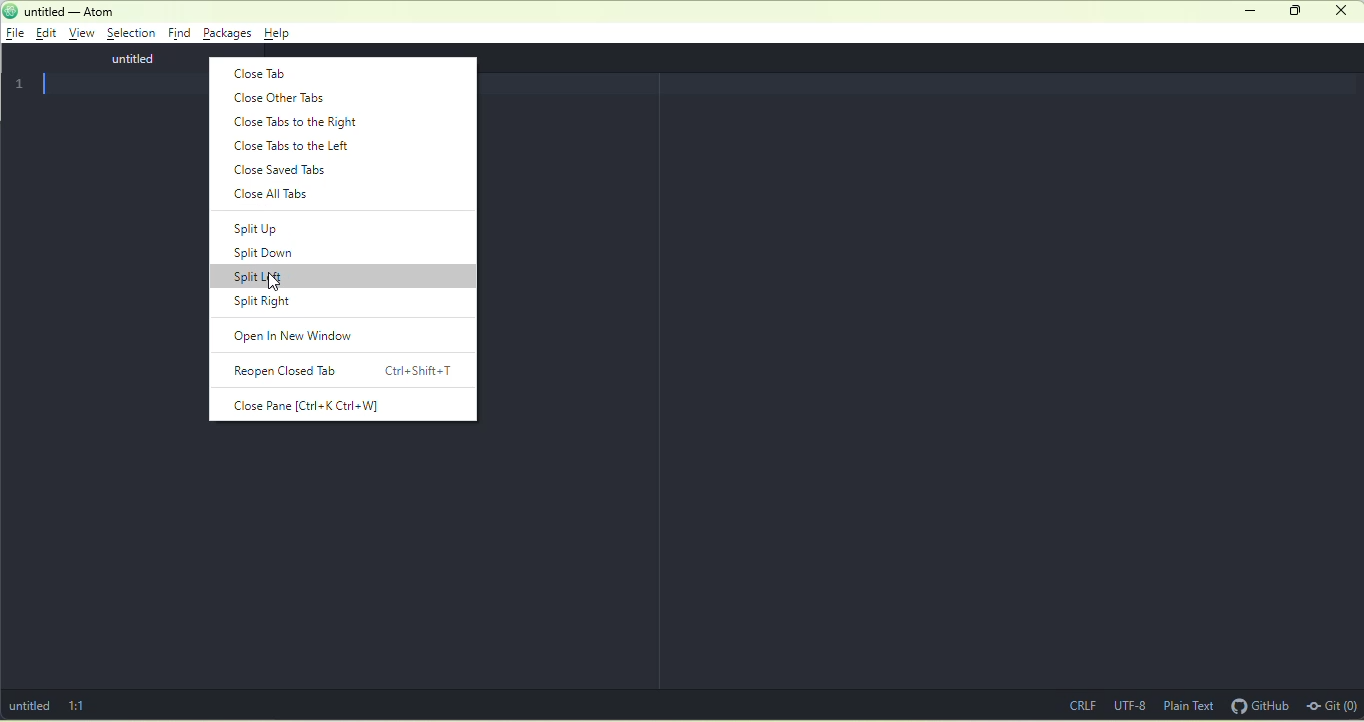 This screenshot has height=722, width=1364. What do you see at coordinates (1260, 705) in the screenshot?
I see `github` at bounding box center [1260, 705].